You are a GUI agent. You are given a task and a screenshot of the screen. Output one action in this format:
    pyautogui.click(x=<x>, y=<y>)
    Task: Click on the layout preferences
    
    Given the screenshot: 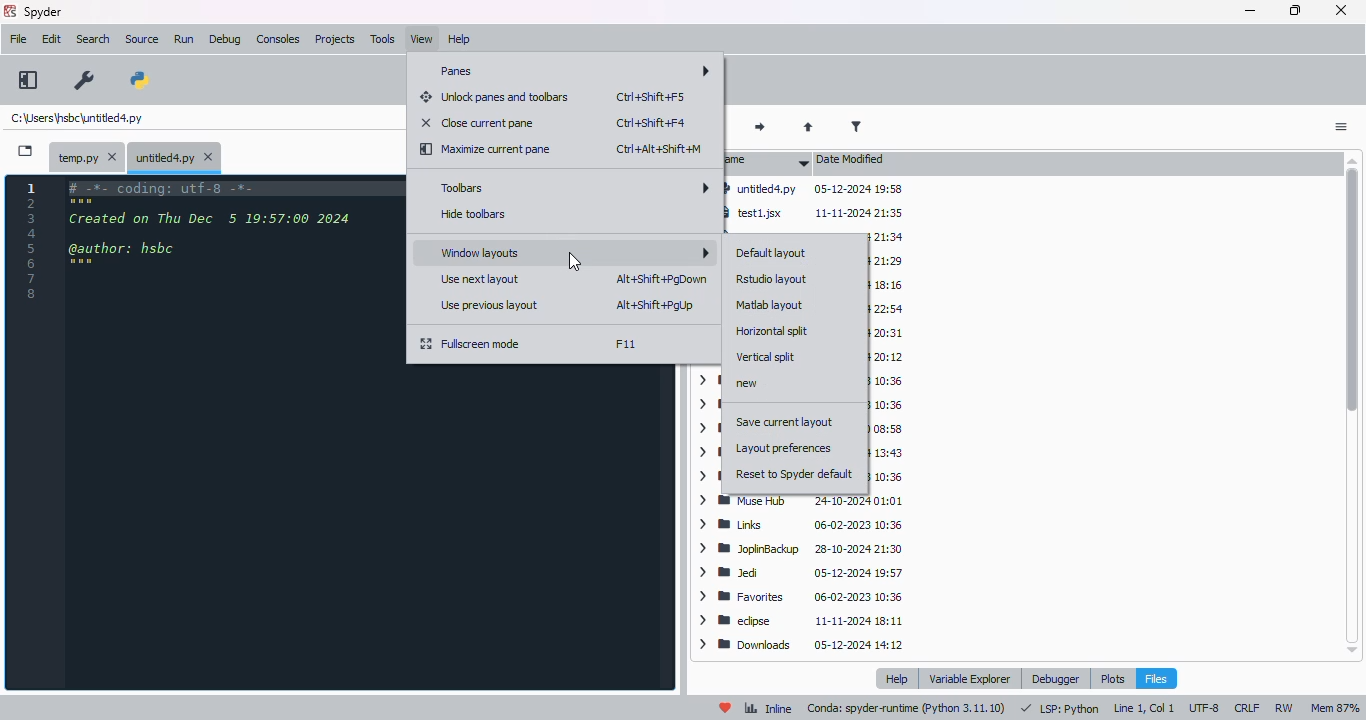 What is the action you would take?
    pyautogui.click(x=785, y=448)
    